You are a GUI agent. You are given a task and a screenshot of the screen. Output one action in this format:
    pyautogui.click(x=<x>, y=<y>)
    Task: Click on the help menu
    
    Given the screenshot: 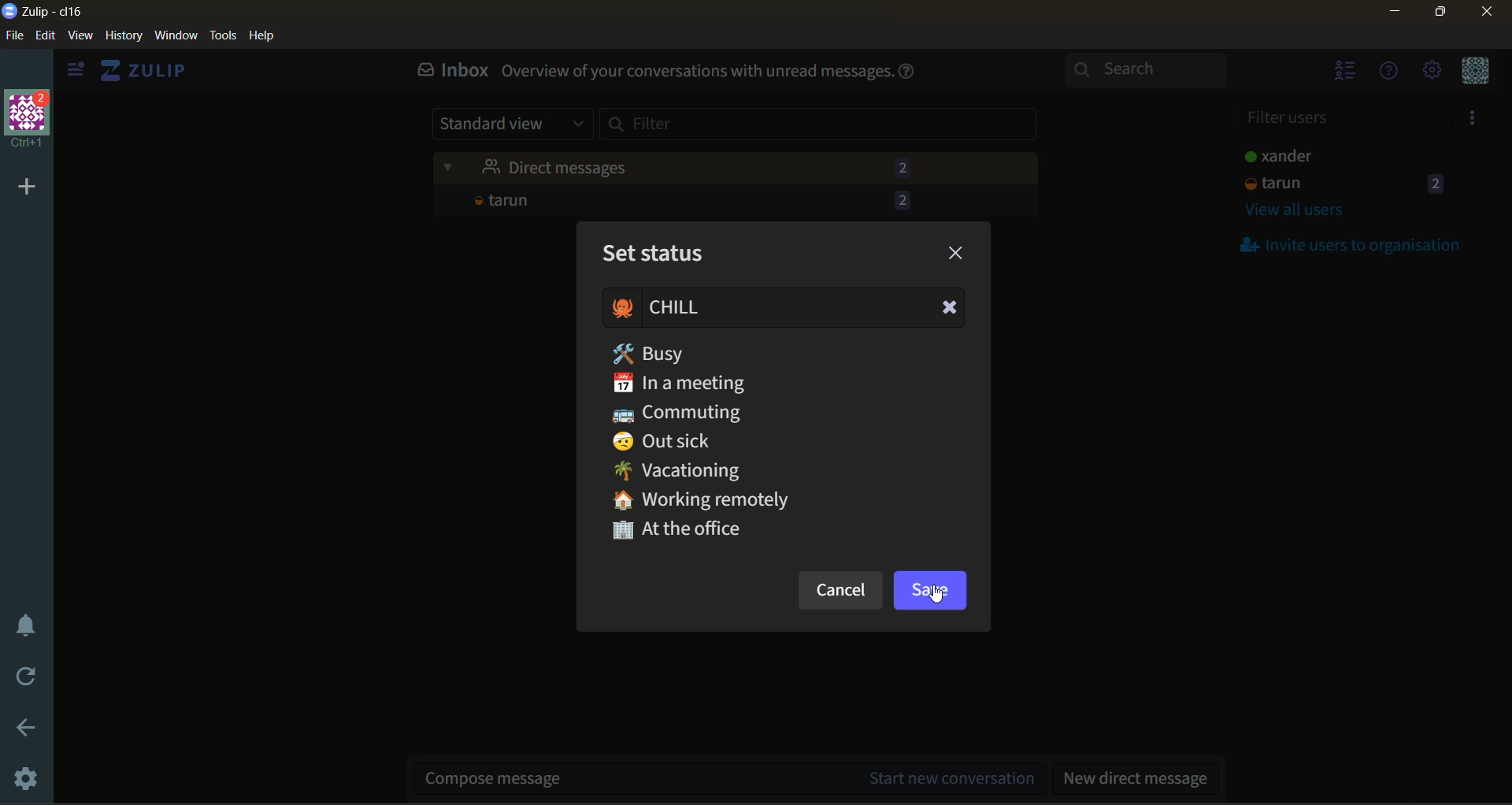 What is the action you would take?
    pyautogui.click(x=1392, y=75)
    